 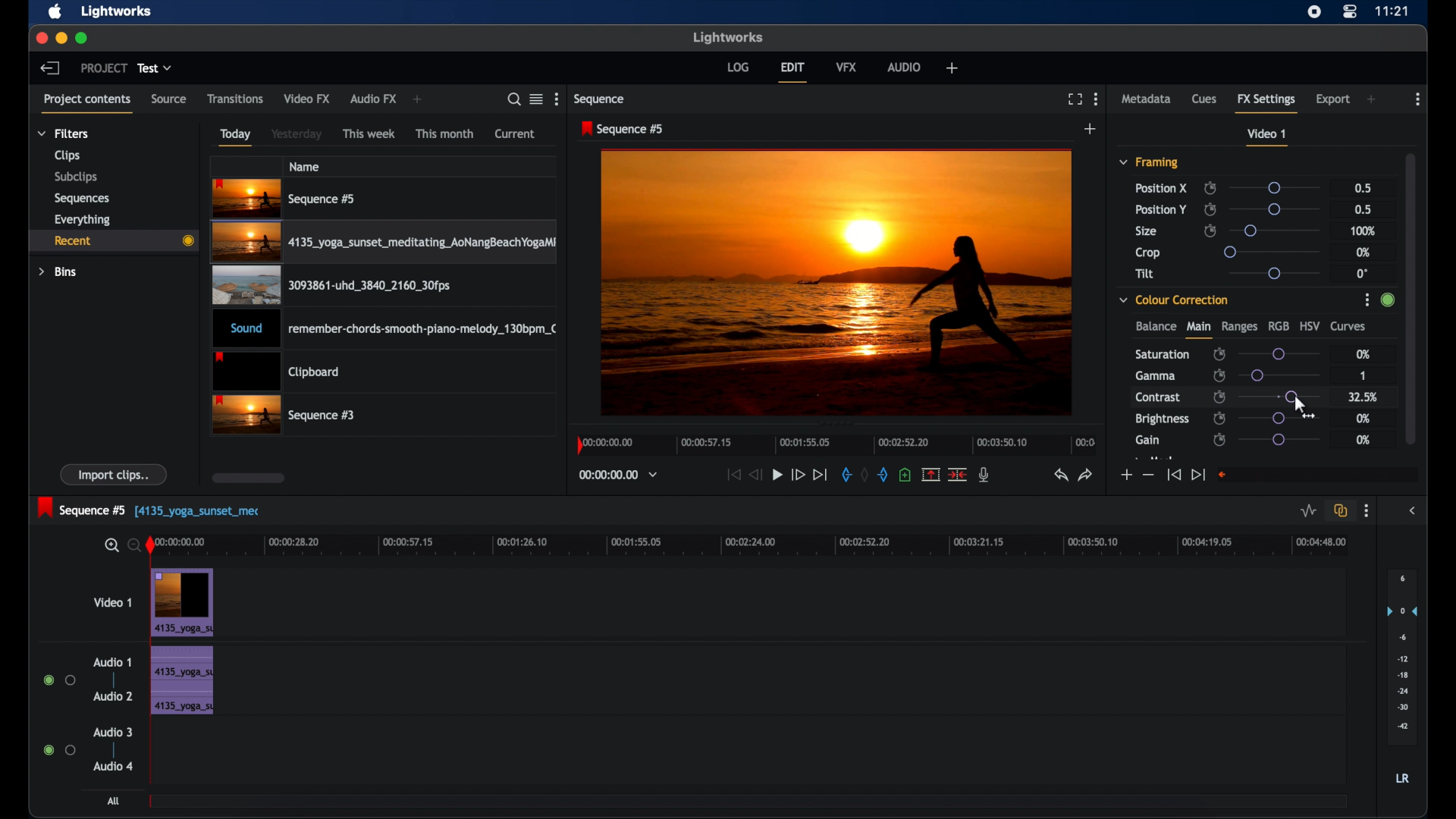 What do you see at coordinates (864, 475) in the screenshot?
I see `clear marks` at bounding box center [864, 475].